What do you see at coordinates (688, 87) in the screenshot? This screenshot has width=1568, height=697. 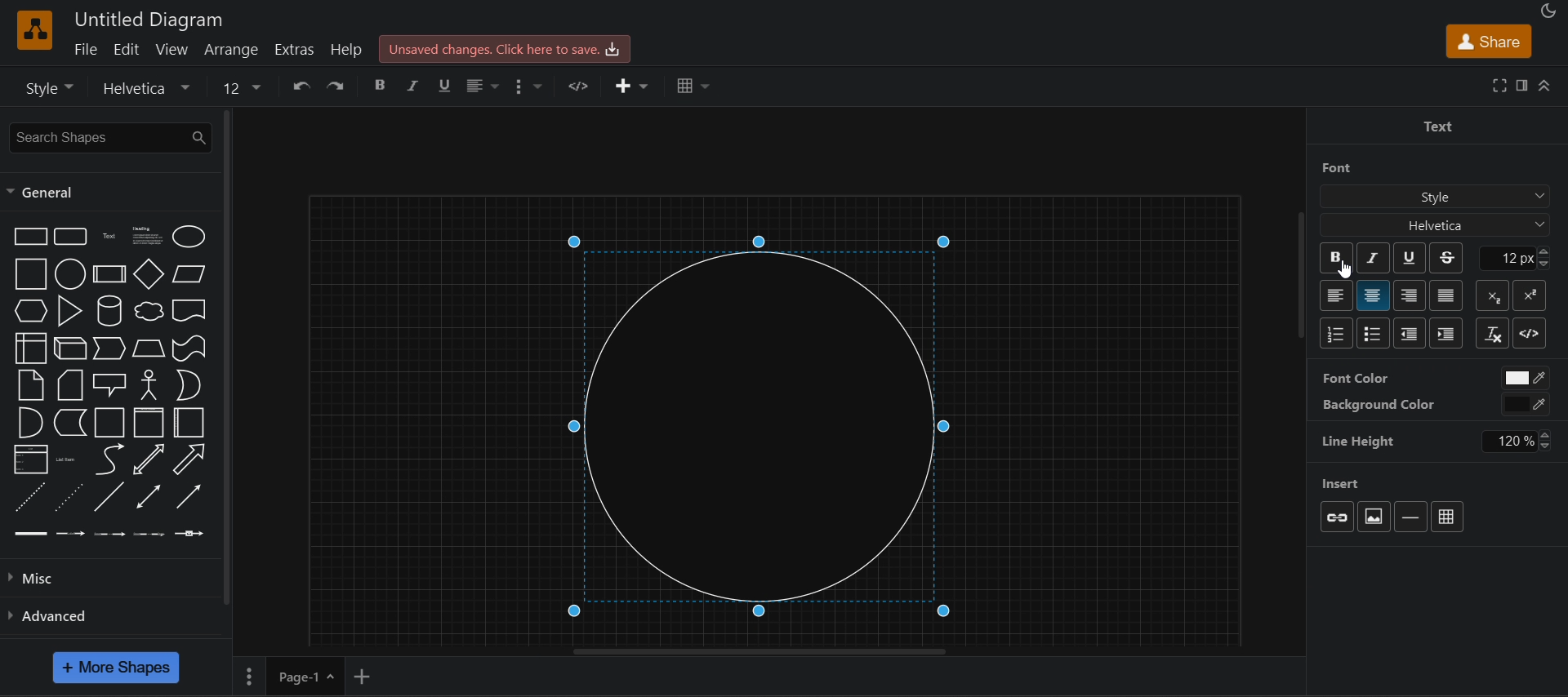 I see `table` at bounding box center [688, 87].